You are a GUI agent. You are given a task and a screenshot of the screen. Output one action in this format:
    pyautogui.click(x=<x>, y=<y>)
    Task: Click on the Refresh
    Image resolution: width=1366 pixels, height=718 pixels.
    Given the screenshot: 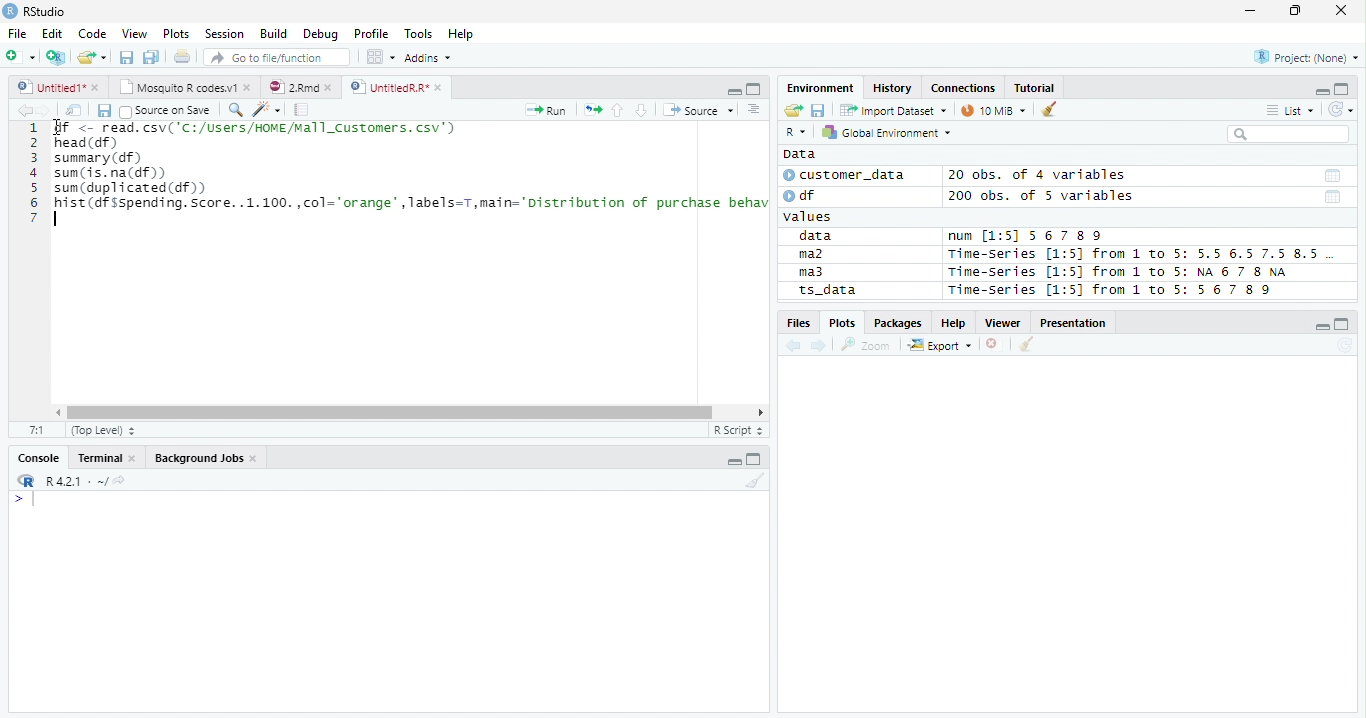 What is the action you would take?
    pyautogui.click(x=1345, y=346)
    